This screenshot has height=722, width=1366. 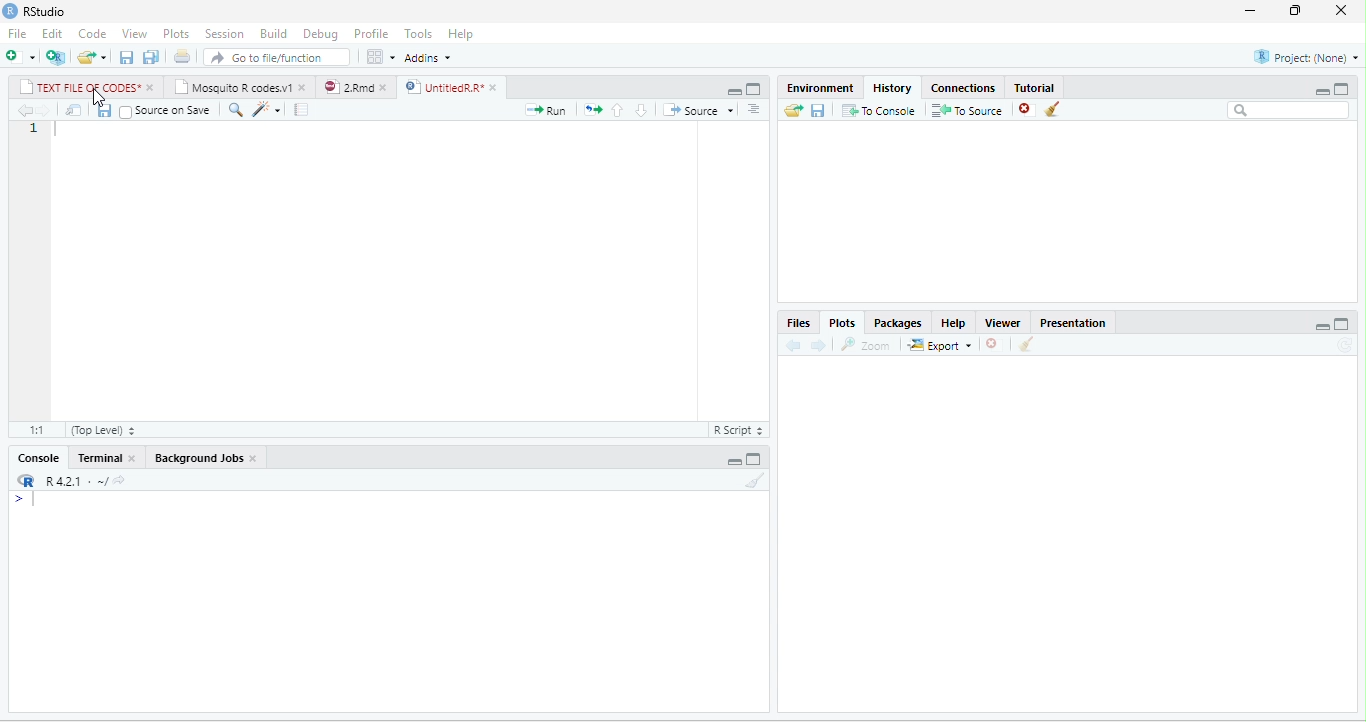 What do you see at coordinates (104, 430) in the screenshot?
I see `Top Level` at bounding box center [104, 430].